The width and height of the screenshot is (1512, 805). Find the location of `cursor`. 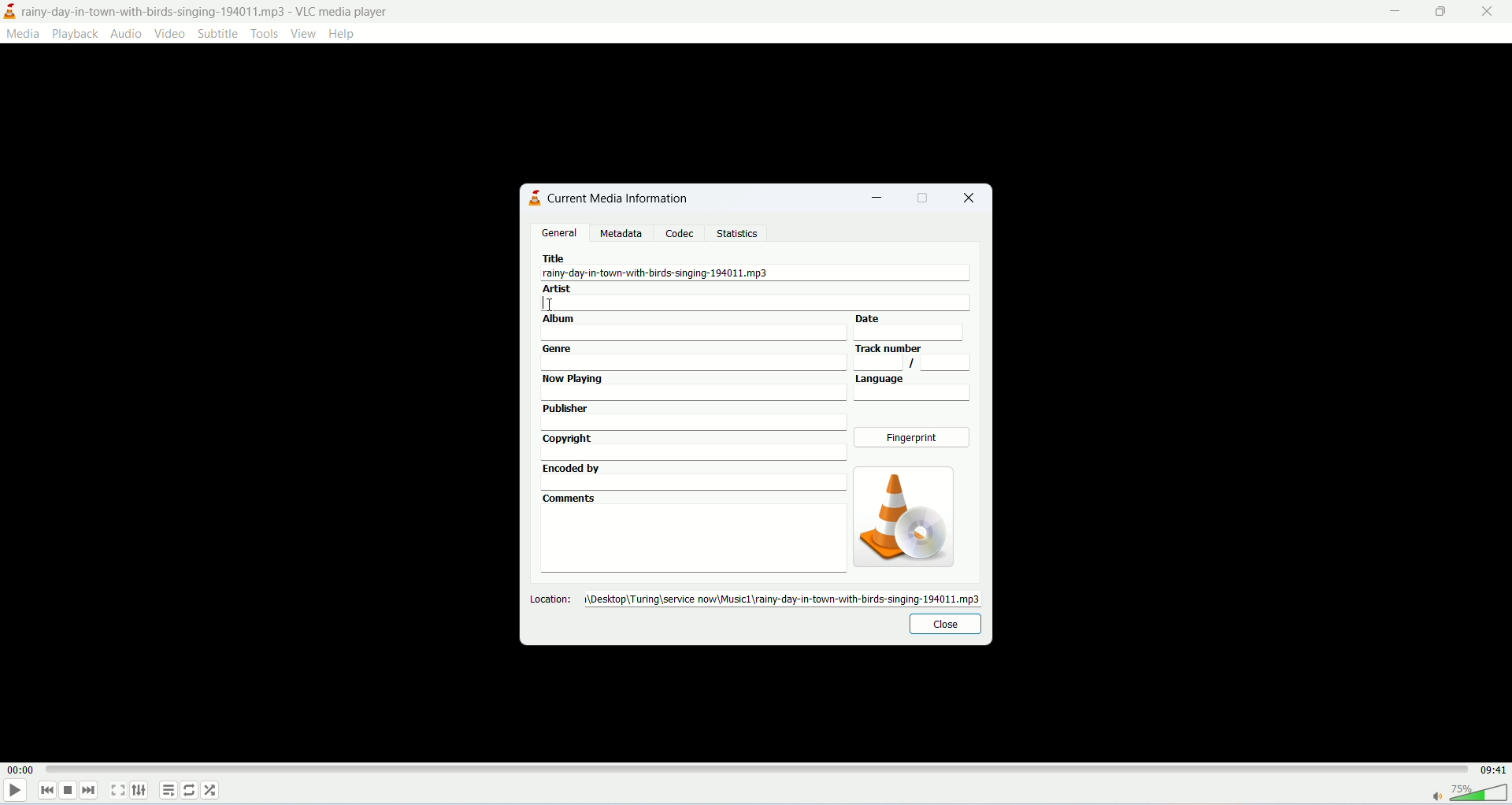

cursor is located at coordinates (547, 303).